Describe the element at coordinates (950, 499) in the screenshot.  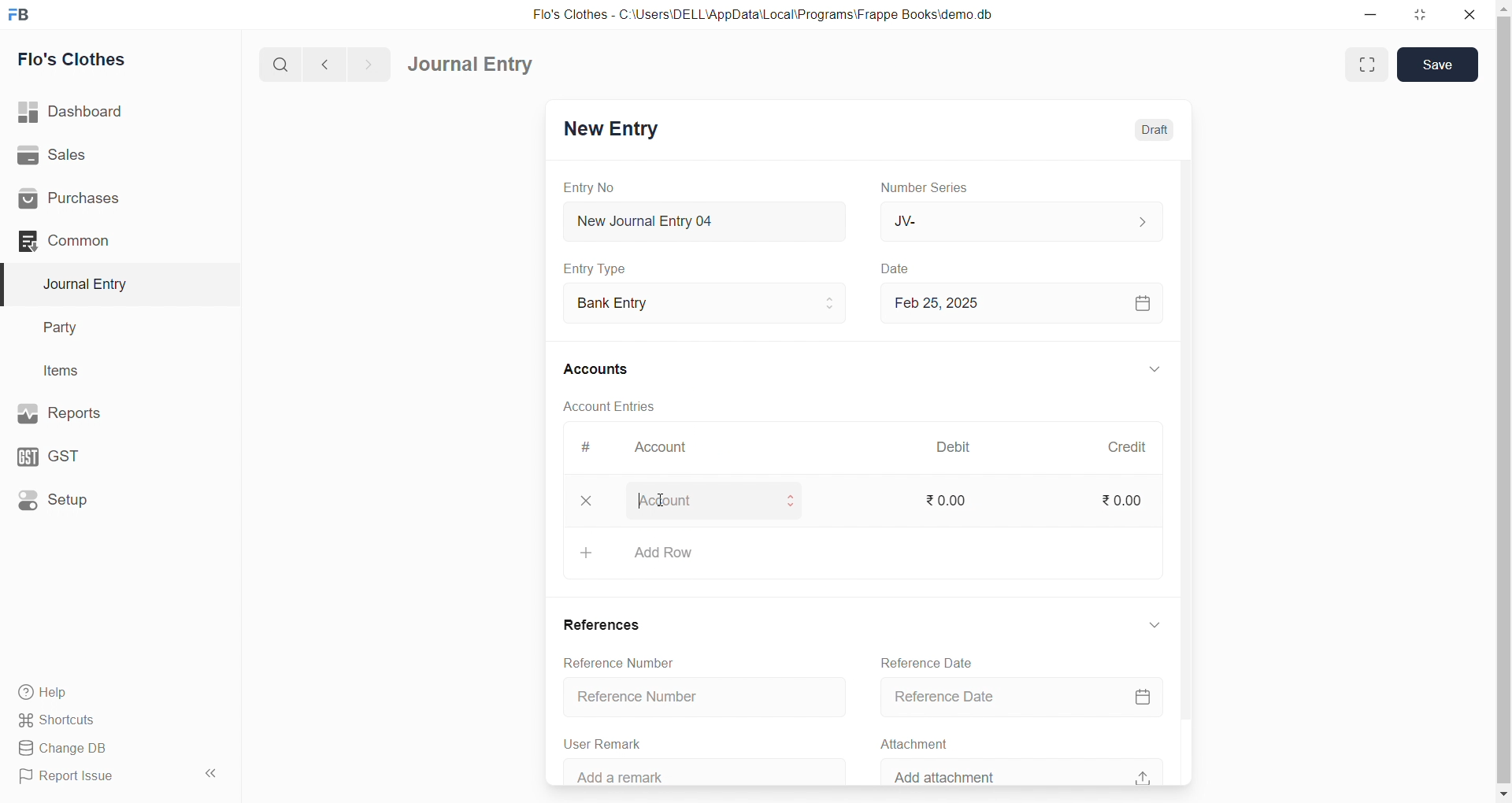
I see `₹ 0.00` at that location.